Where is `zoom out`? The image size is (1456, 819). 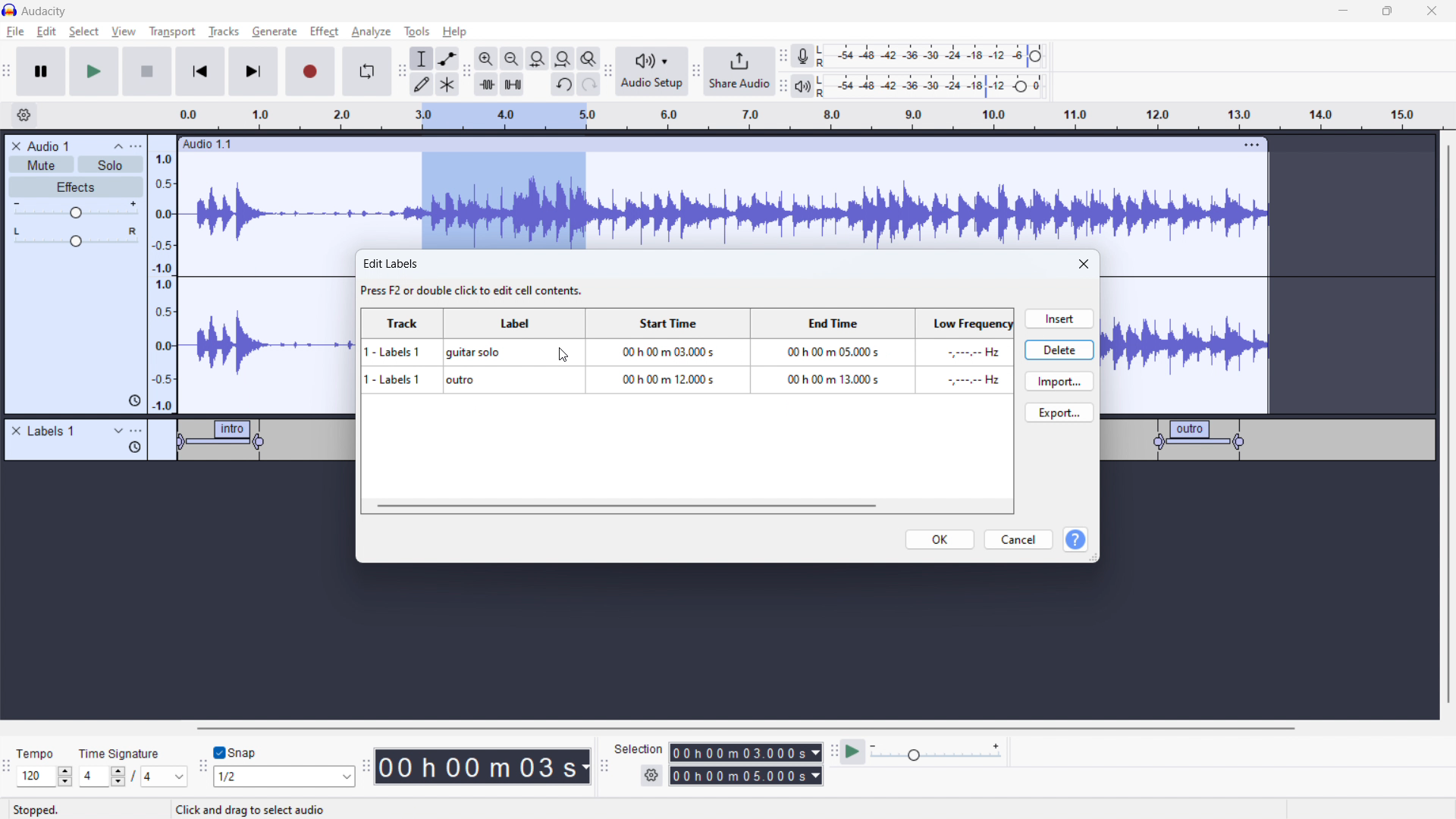
zoom out is located at coordinates (511, 58).